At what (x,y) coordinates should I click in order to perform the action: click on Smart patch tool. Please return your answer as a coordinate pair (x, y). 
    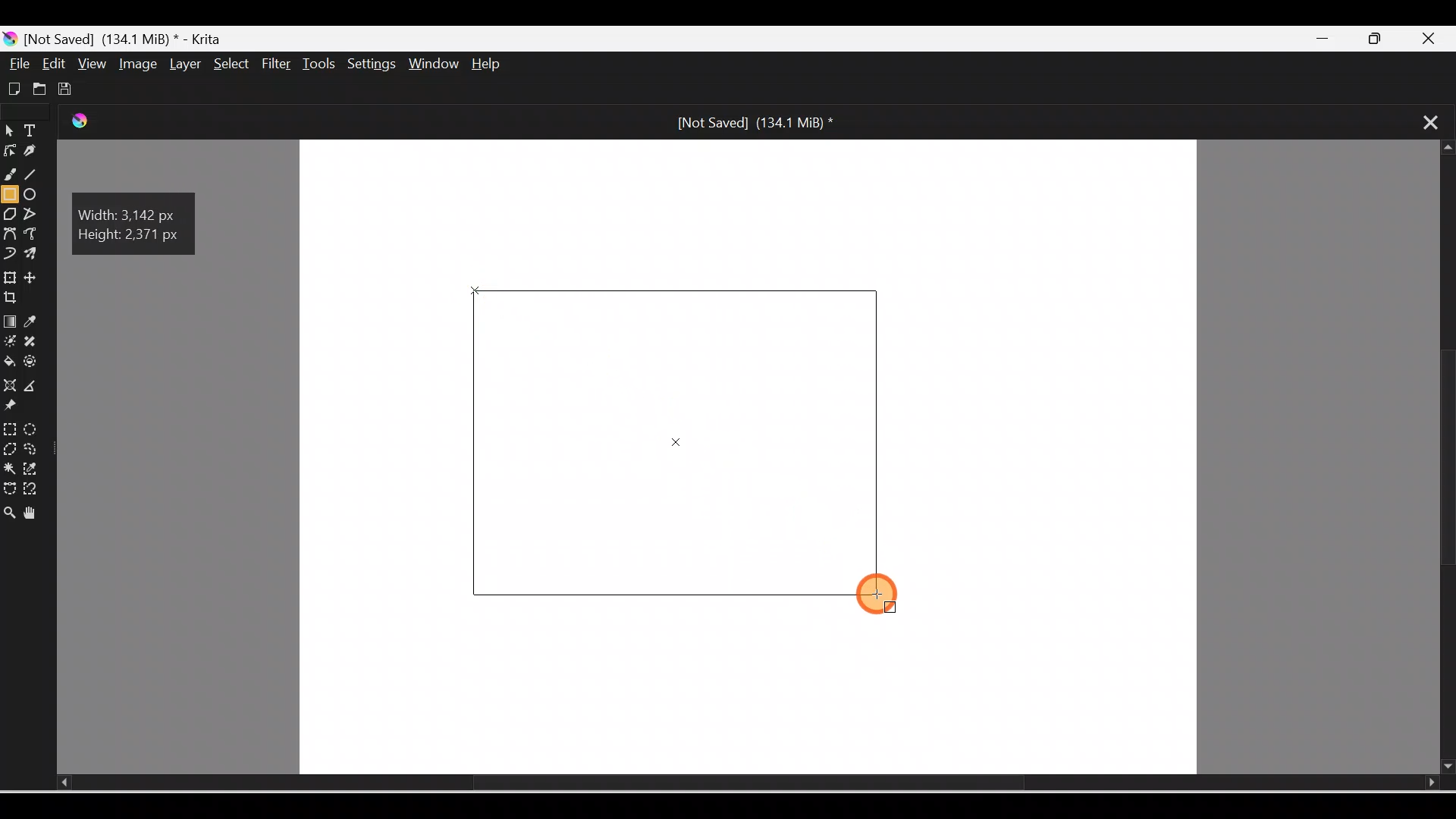
    Looking at the image, I should click on (37, 342).